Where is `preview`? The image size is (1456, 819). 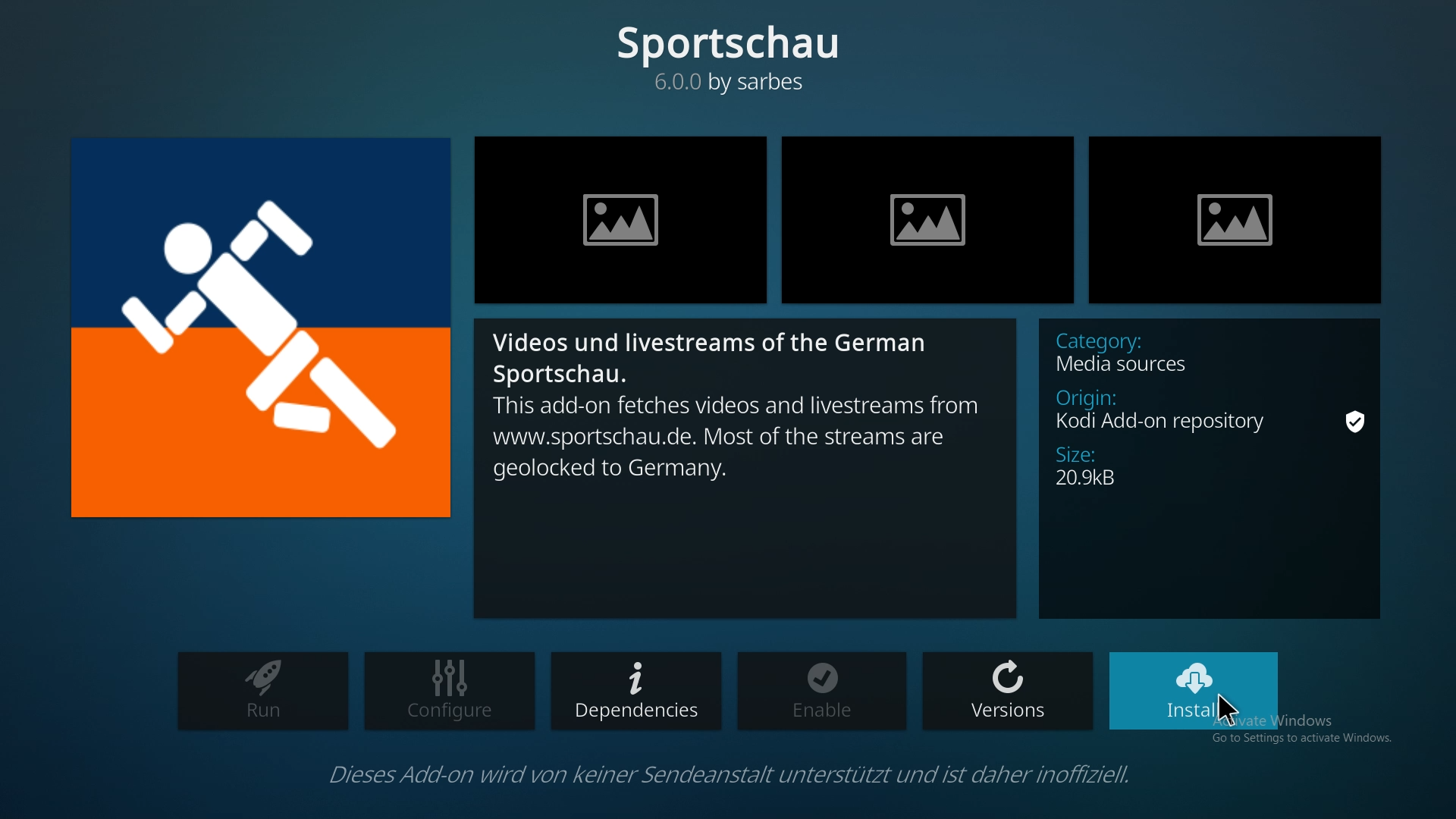
preview is located at coordinates (928, 219).